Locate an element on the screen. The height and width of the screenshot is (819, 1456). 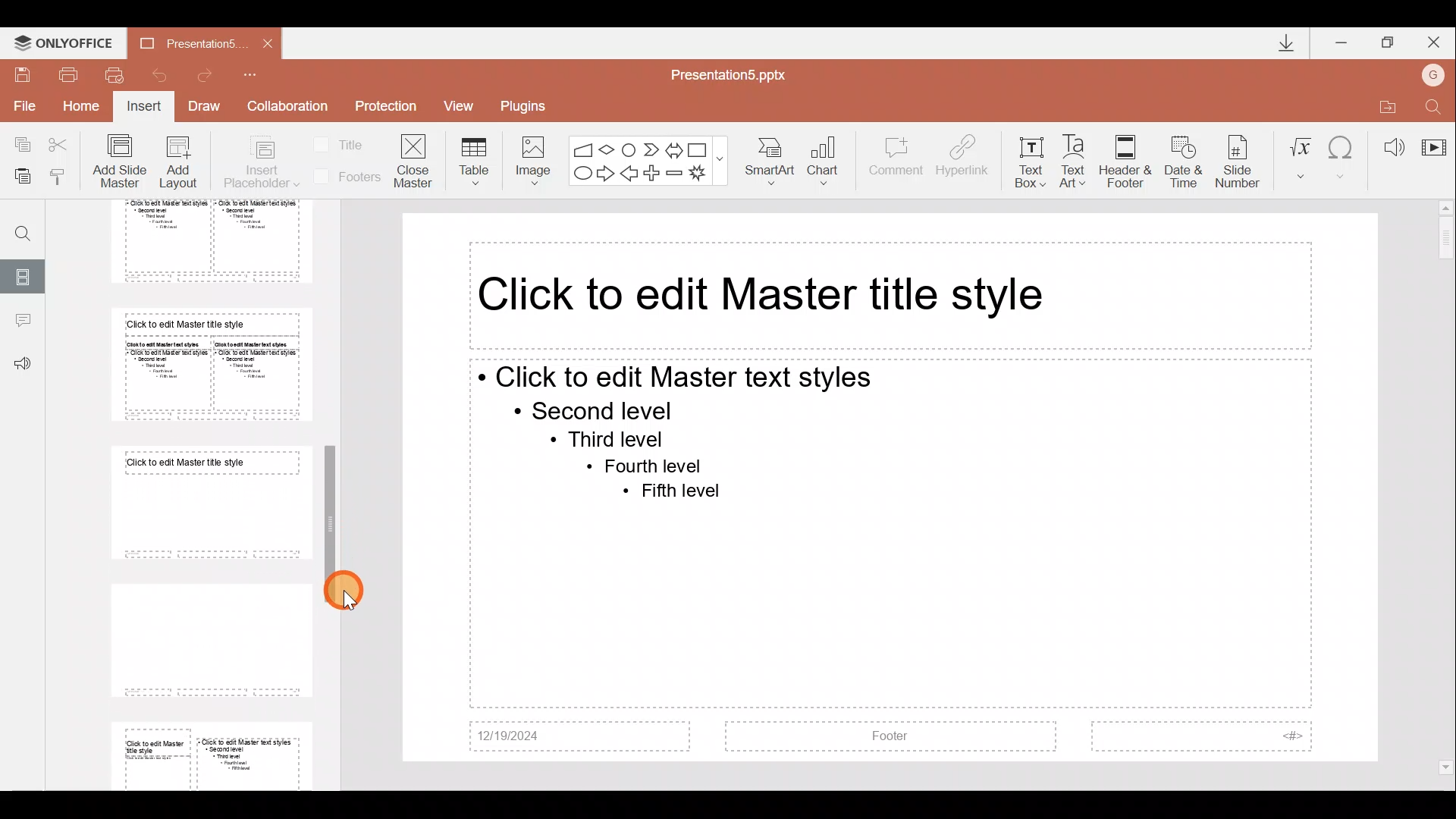
Document name is located at coordinates (737, 74).